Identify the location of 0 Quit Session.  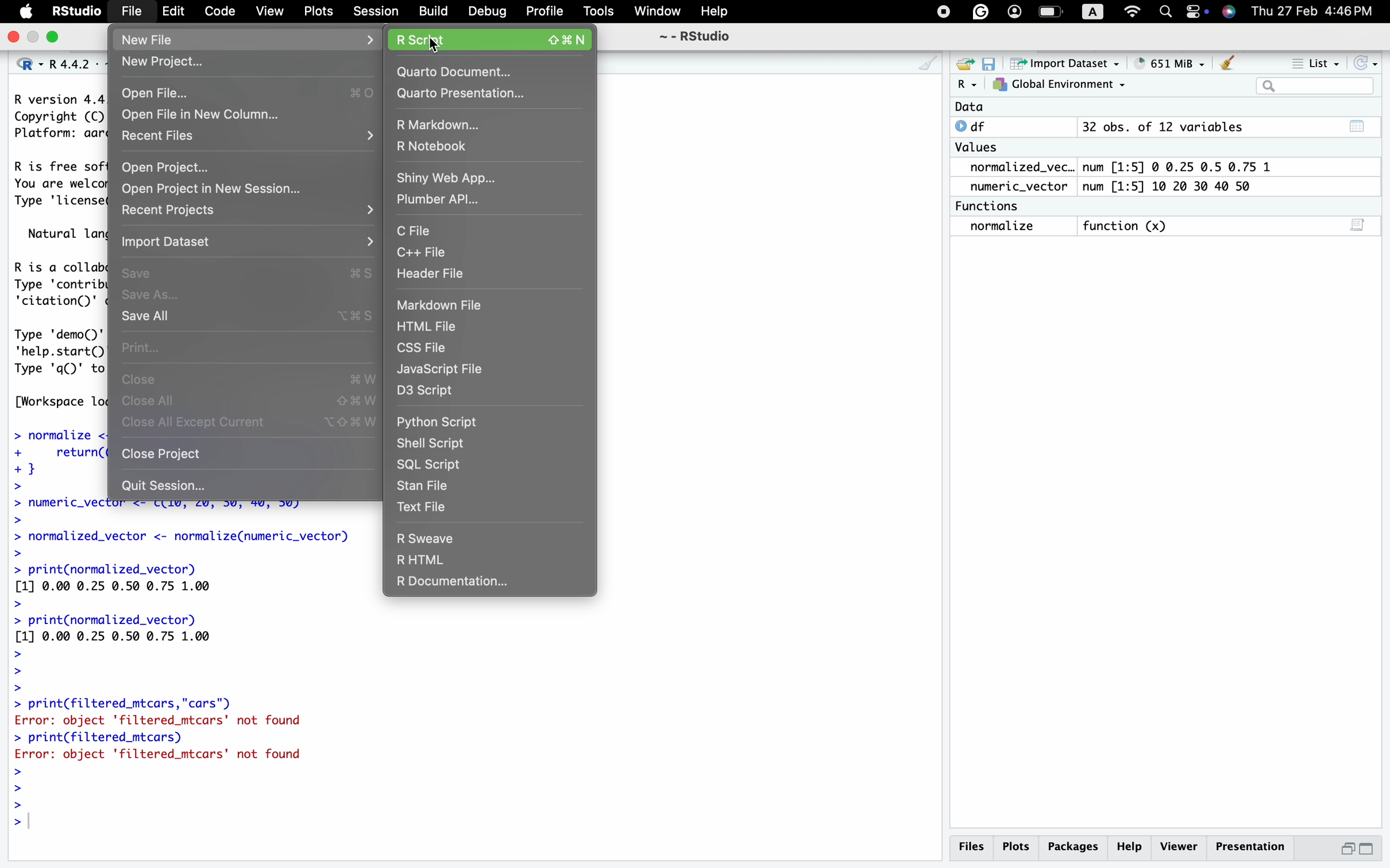
(177, 485).